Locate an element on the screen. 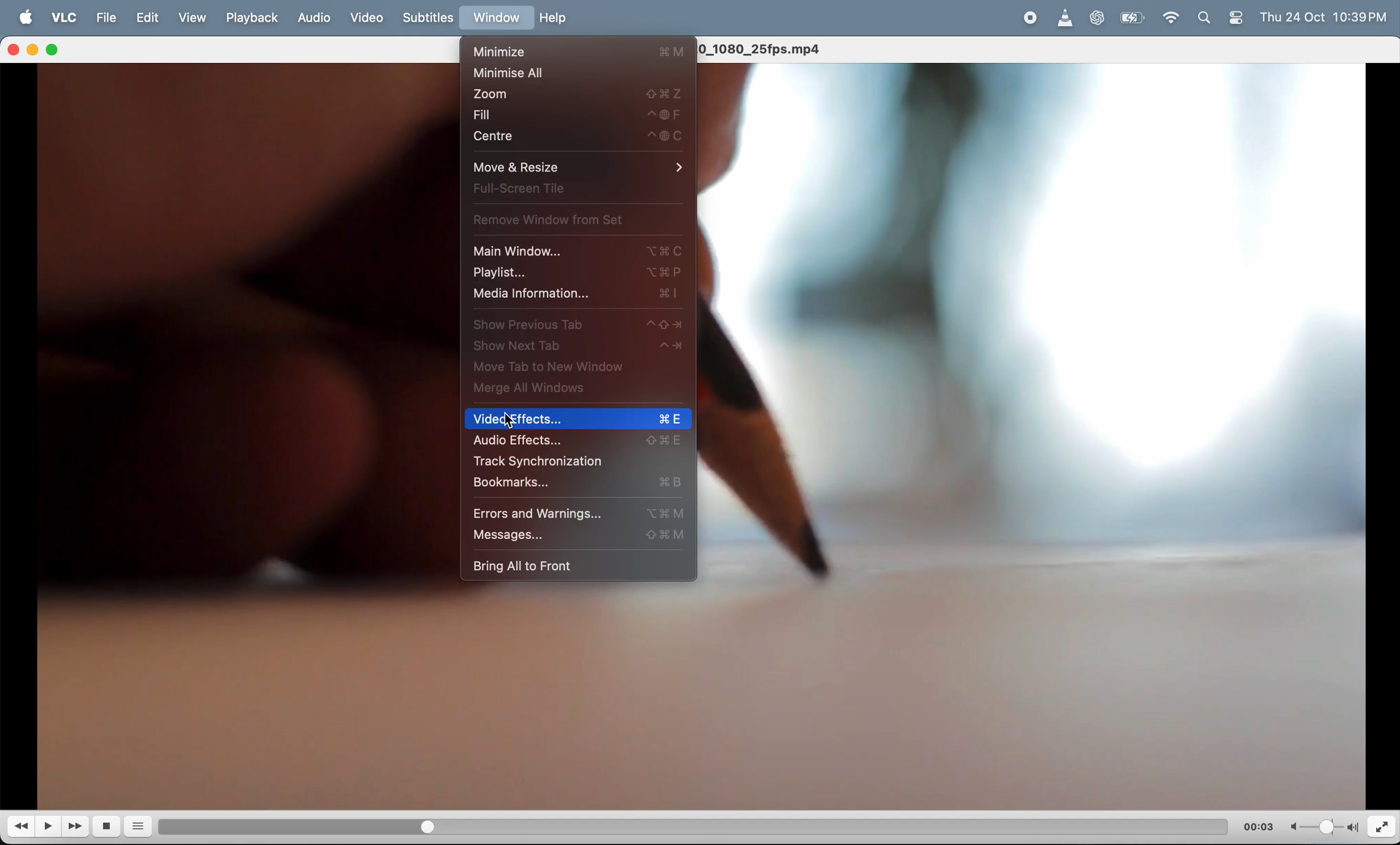 The image size is (1400, 845). video effects is located at coordinates (578, 421).